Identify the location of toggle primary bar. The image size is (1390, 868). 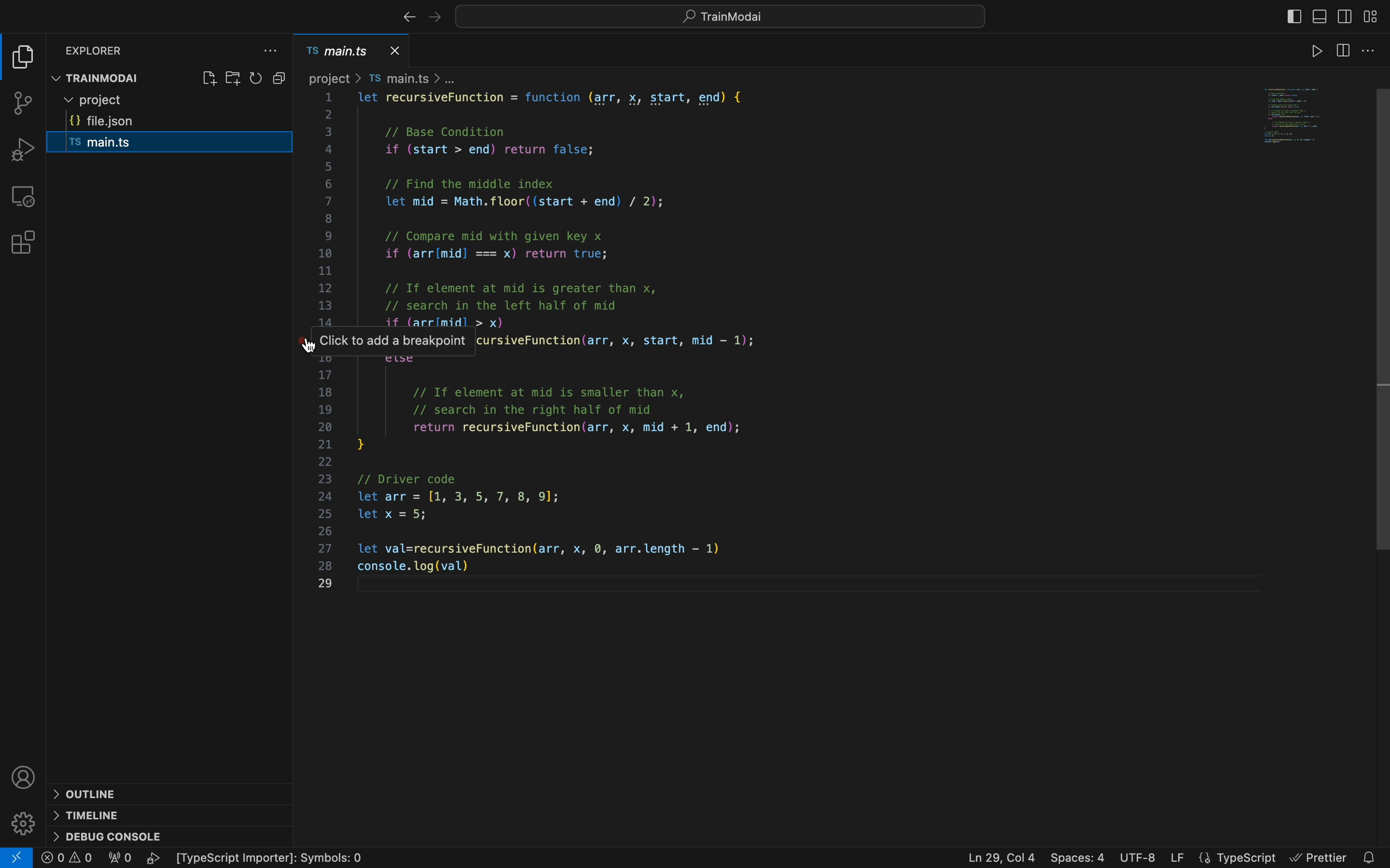
(1316, 16).